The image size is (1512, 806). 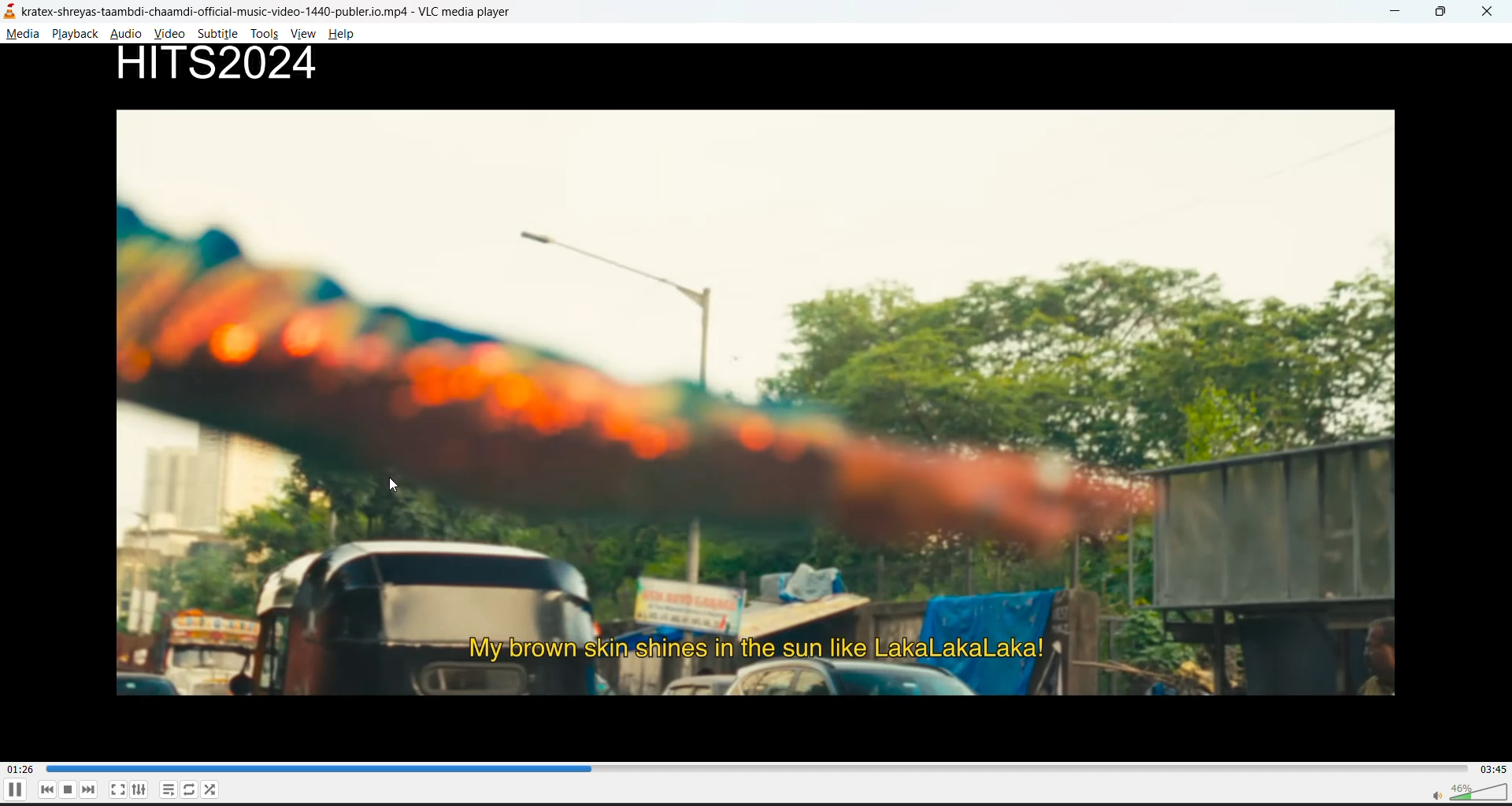 I want to click on random, so click(x=213, y=792).